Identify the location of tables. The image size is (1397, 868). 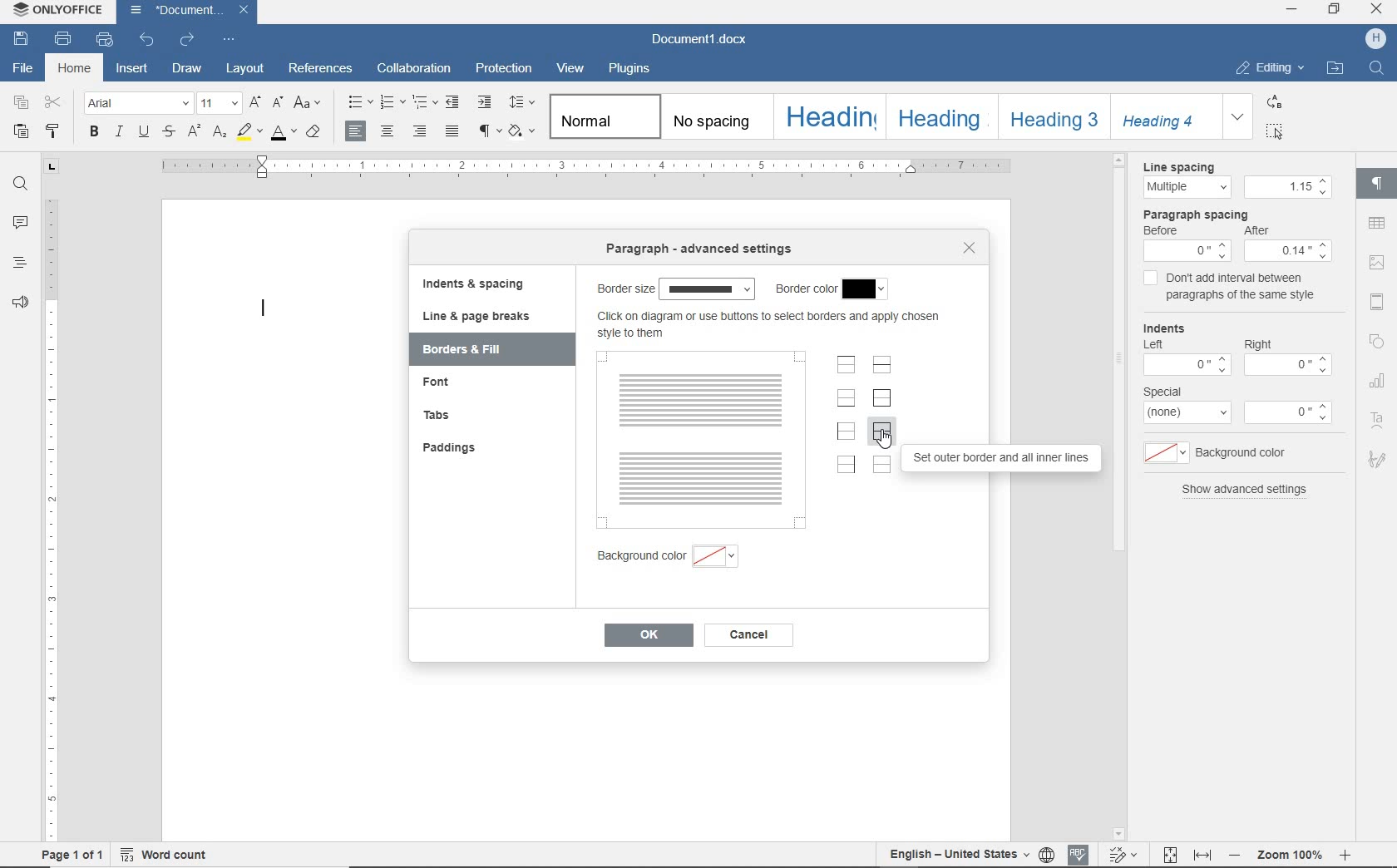
(1377, 223).